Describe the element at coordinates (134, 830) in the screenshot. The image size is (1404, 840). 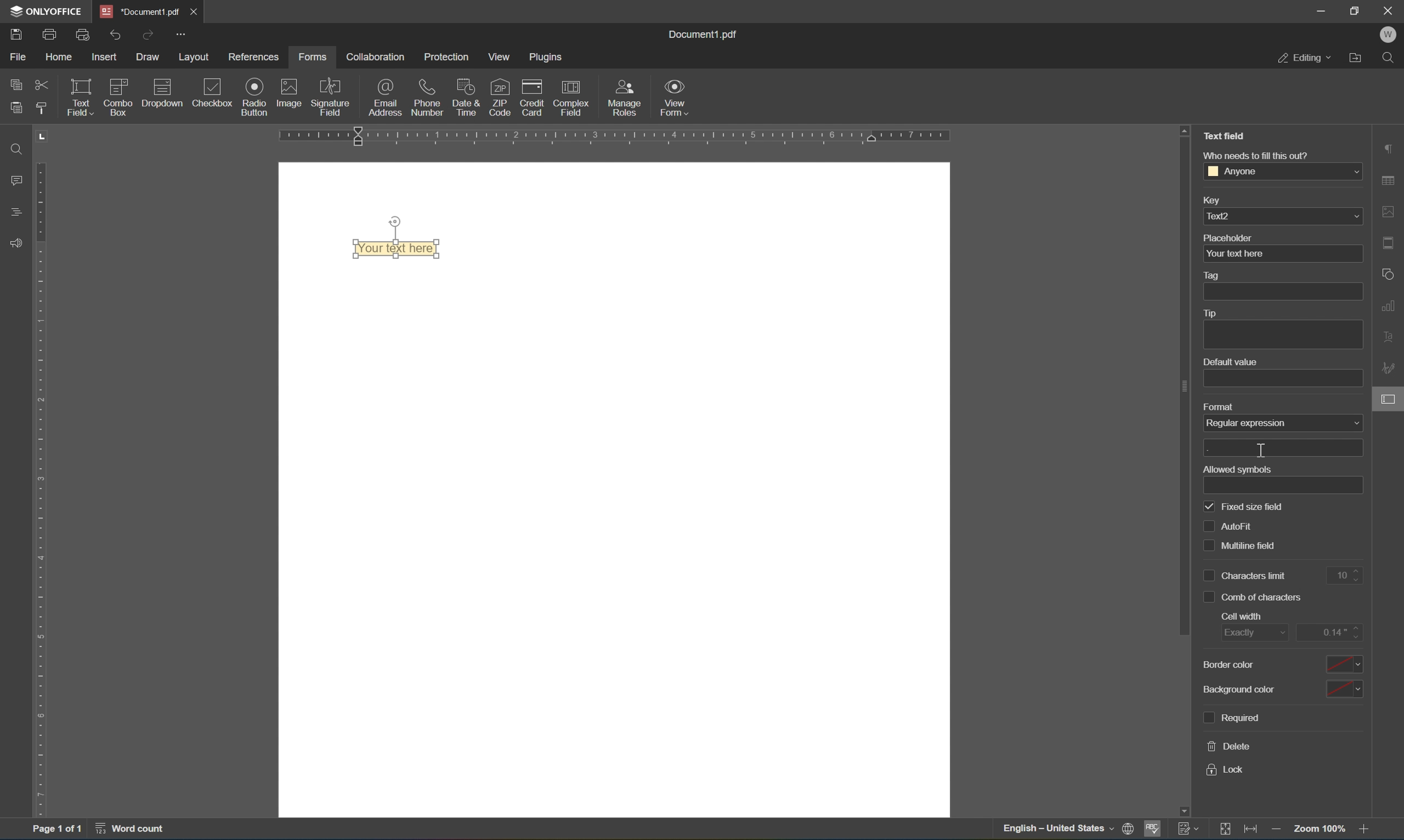
I see `word count` at that location.